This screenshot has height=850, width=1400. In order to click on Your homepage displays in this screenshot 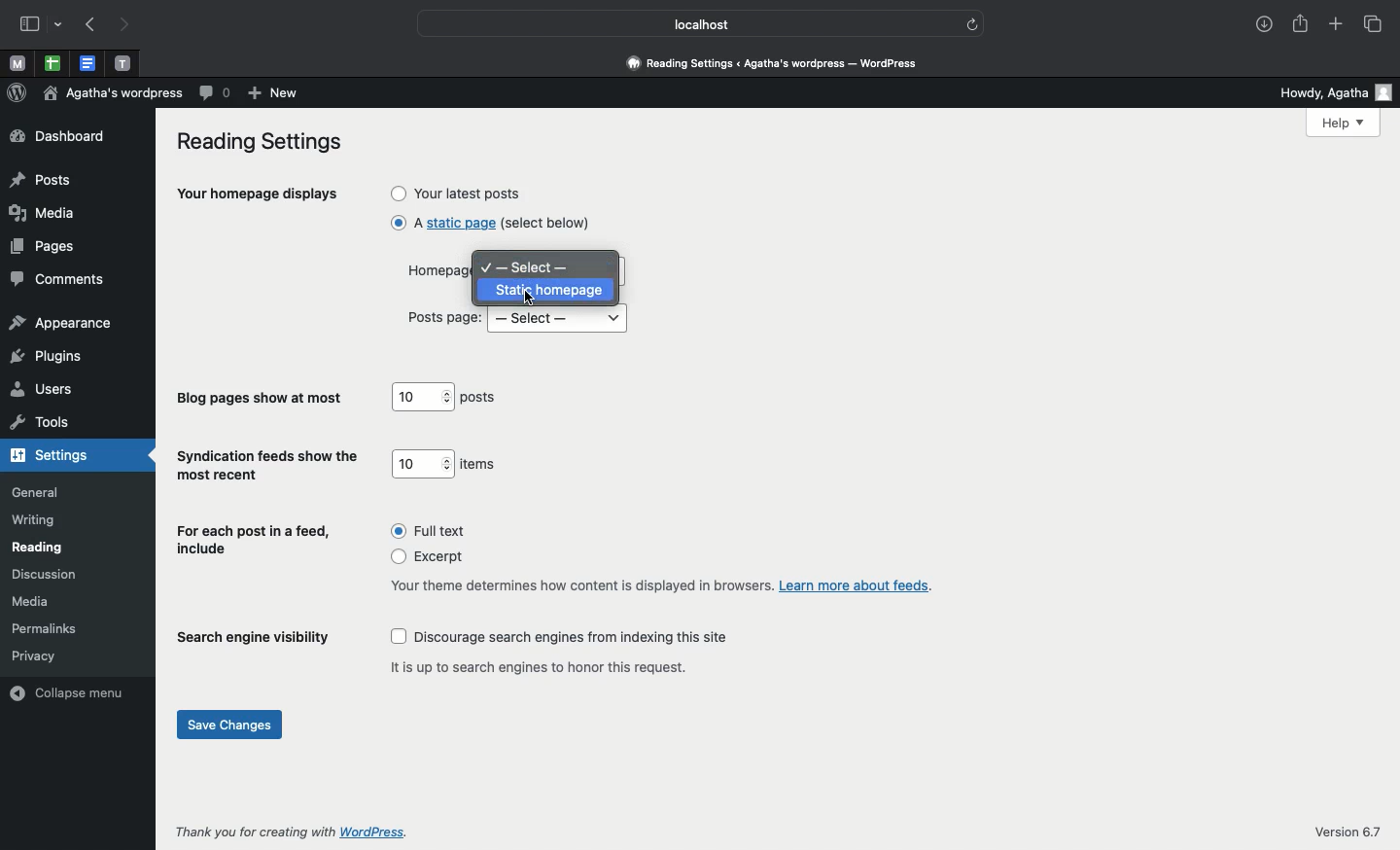, I will do `click(259, 196)`.